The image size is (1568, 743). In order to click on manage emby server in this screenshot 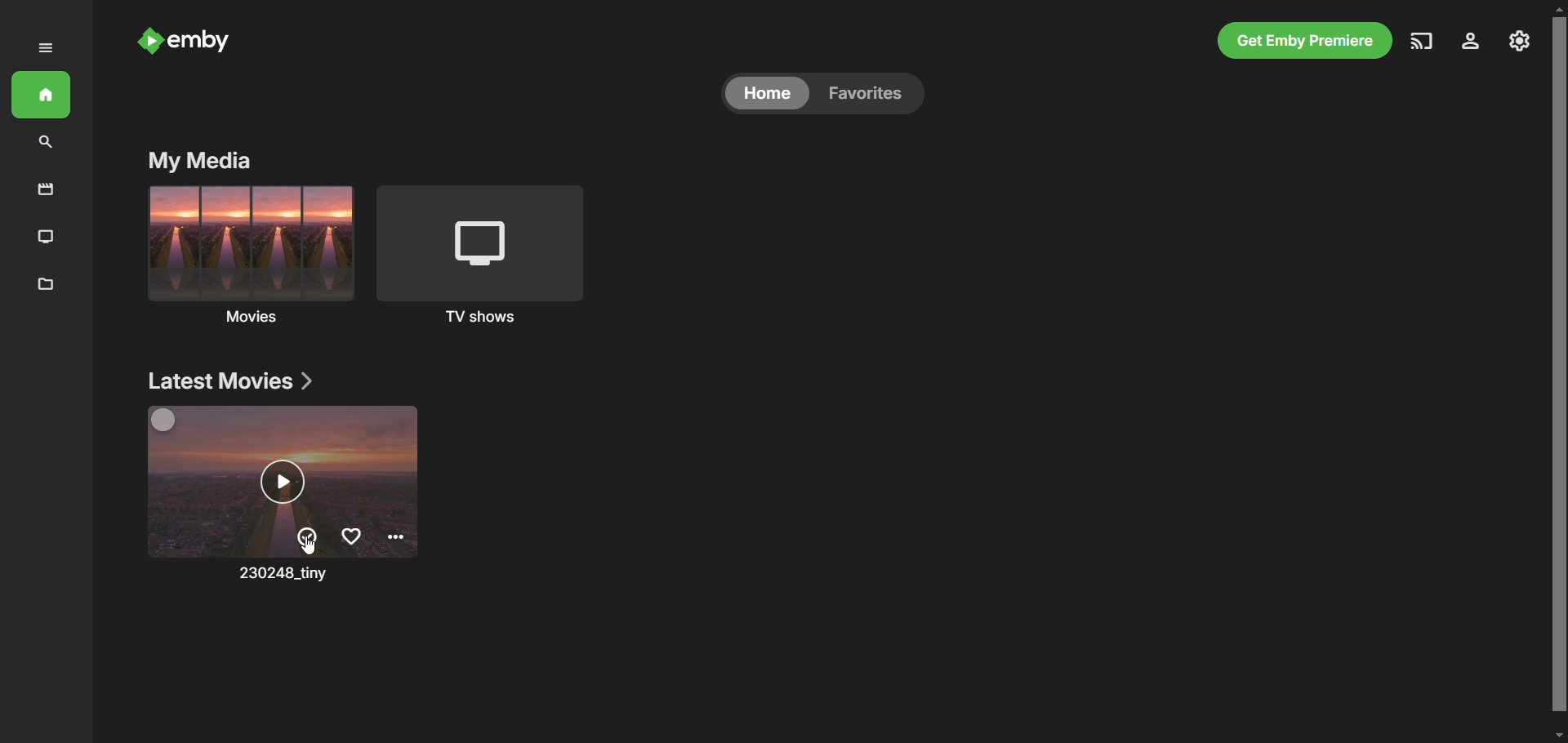, I will do `click(1469, 42)`.